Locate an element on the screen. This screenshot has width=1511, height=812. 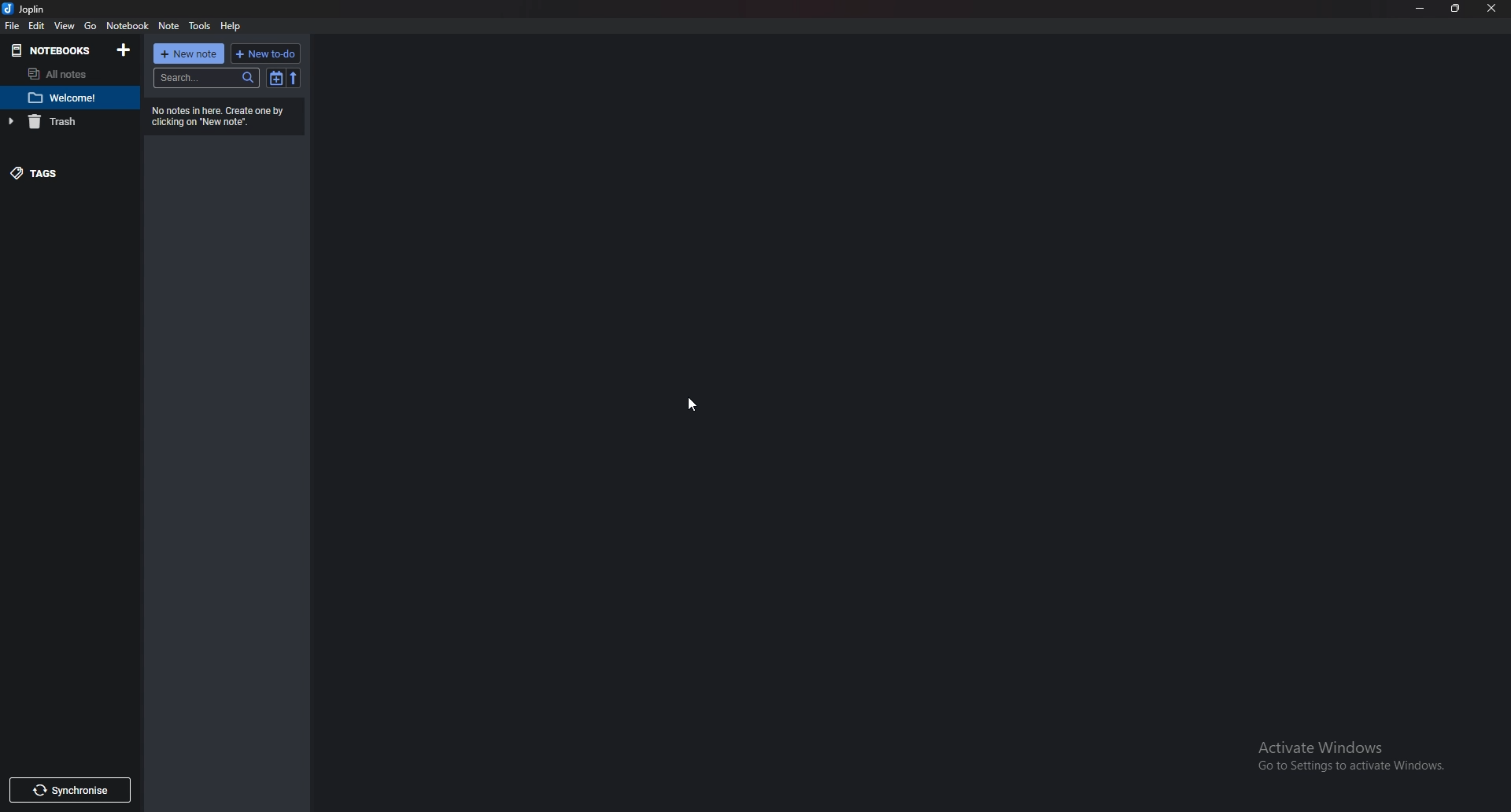
close is located at coordinates (1491, 8).